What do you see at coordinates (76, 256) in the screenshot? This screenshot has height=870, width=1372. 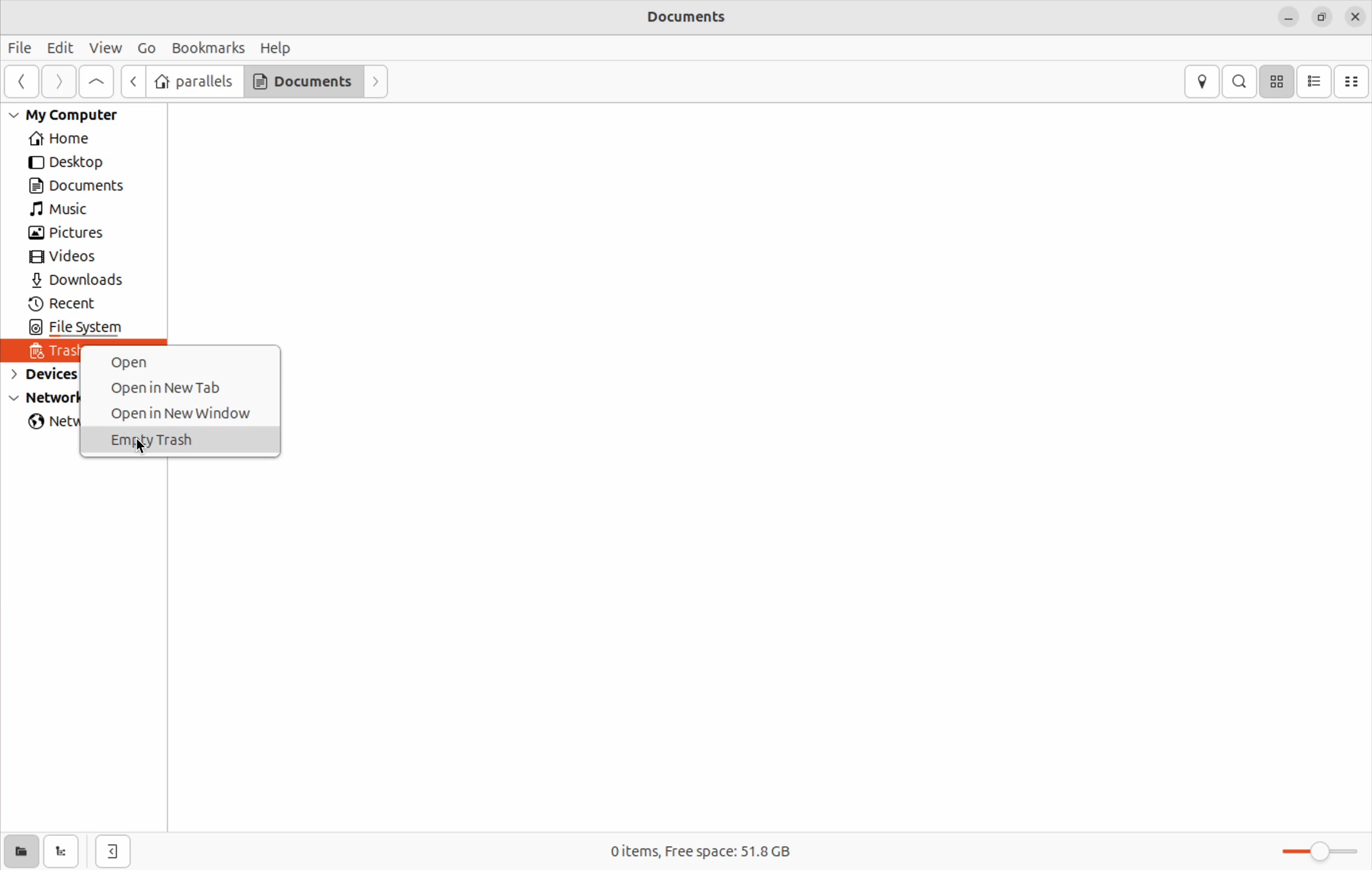 I see `Videos` at bounding box center [76, 256].